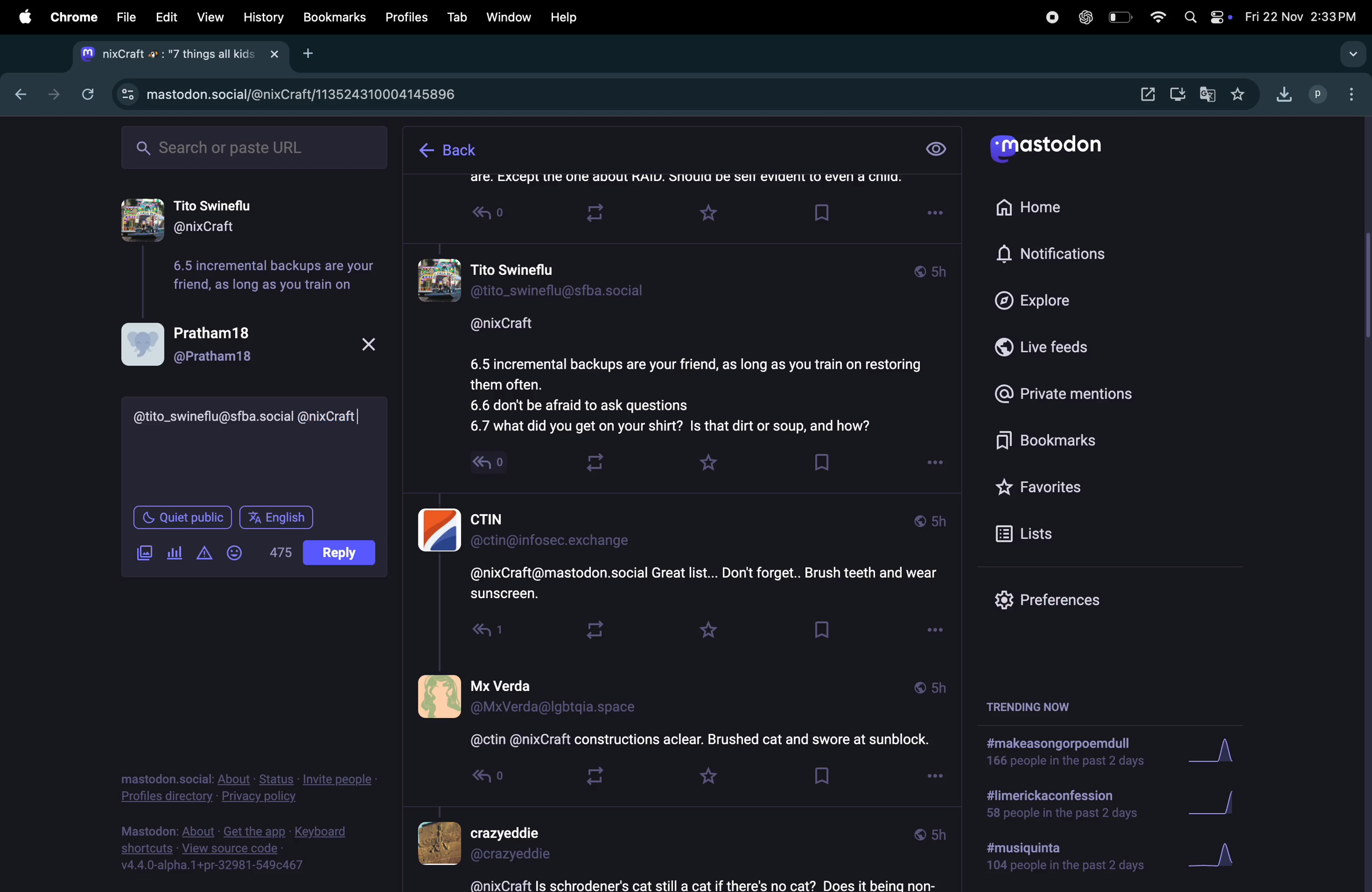 The height and width of the screenshot is (892, 1372). What do you see at coordinates (1038, 708) in the screenshot?
I see `tending now` at bounding box center [1038, 708].